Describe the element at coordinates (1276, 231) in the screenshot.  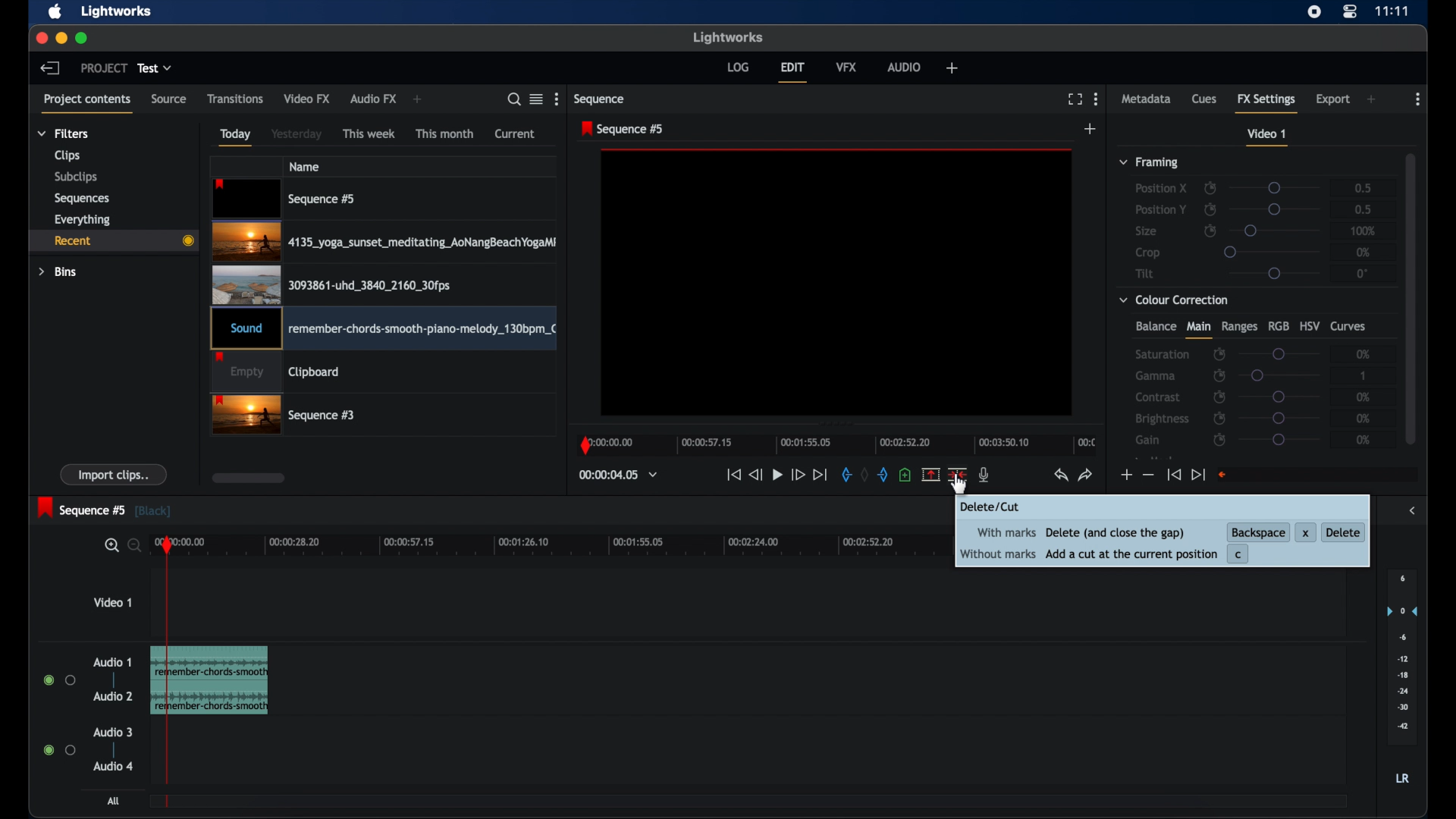
I see `slider` at that location.